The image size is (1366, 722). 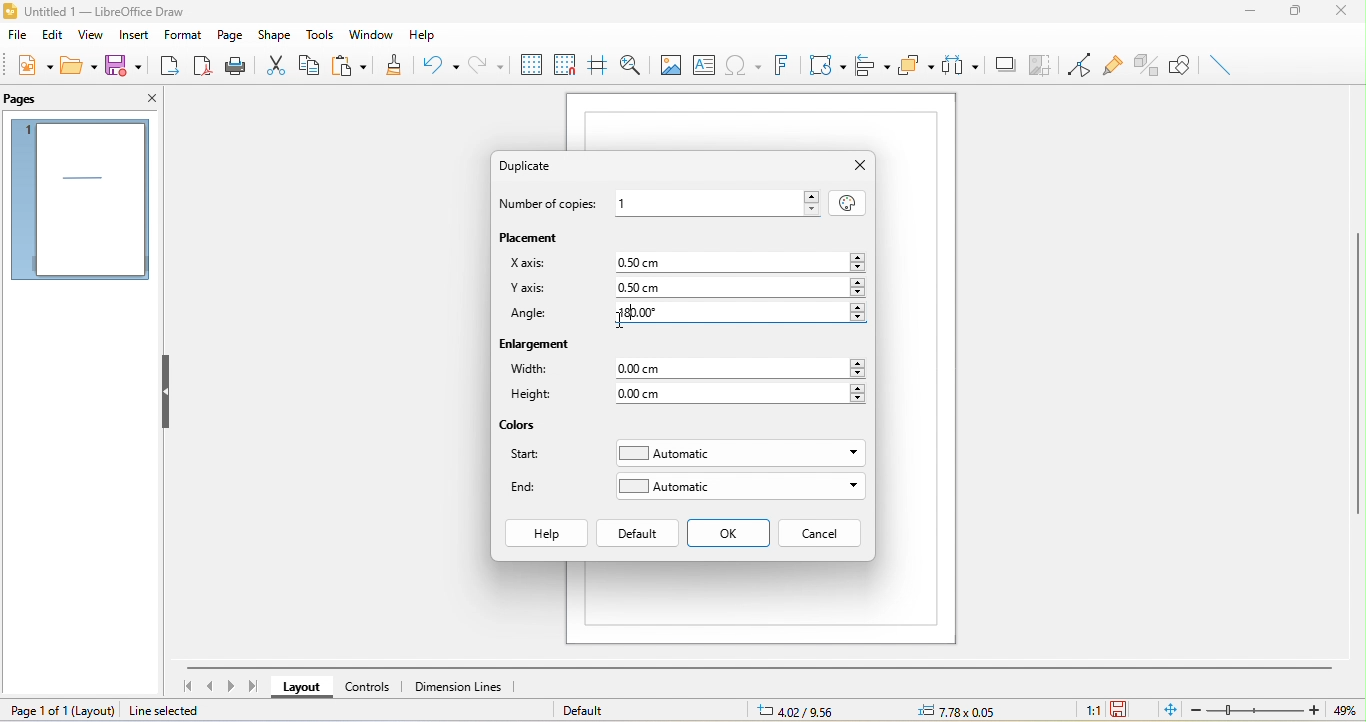 I want to click on first page, so click(x=185, y=685).